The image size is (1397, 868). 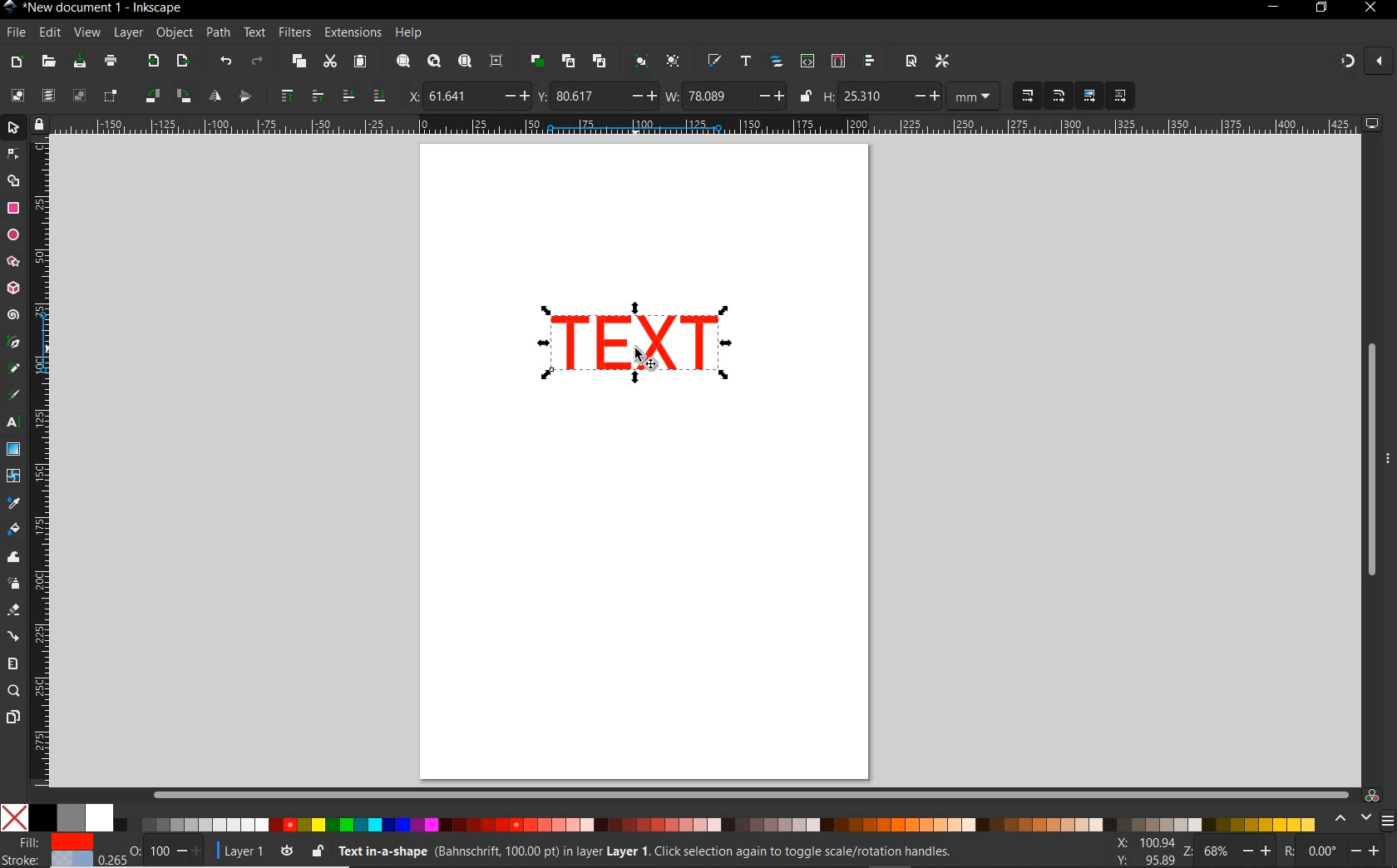 I want to click on new, so click(x=17, y=61).